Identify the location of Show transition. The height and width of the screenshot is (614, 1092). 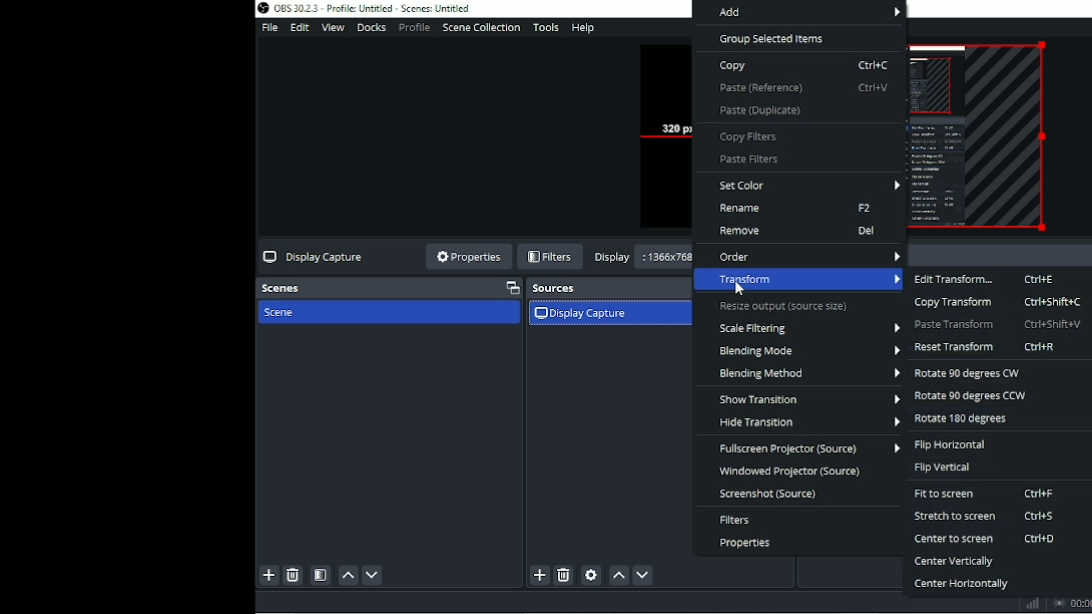
(807, 400).